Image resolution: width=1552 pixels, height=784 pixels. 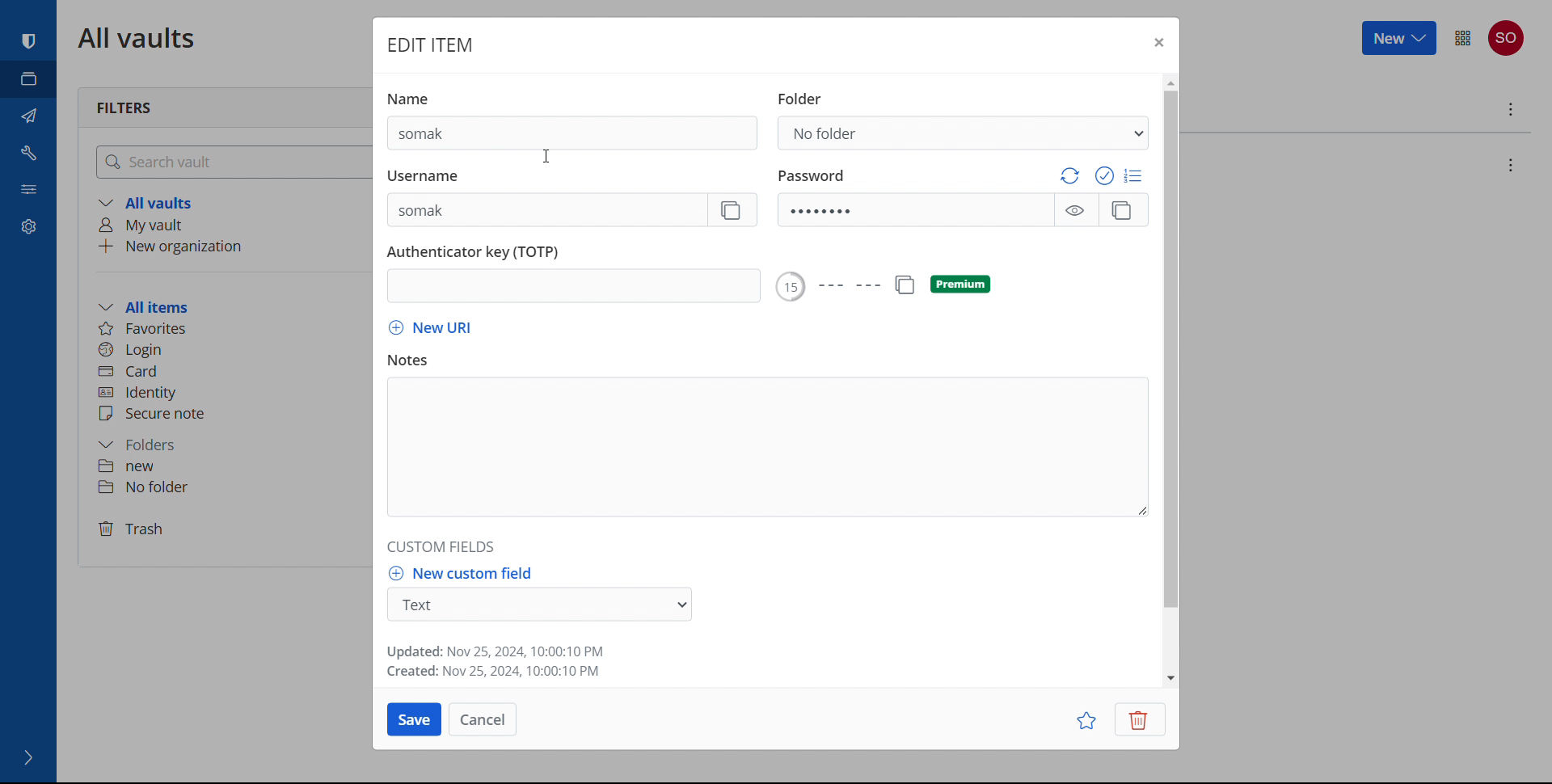 What do you see at coordinates (1508, 111) in the screenshot?
I see `options` at bounding box center [1508, 111].